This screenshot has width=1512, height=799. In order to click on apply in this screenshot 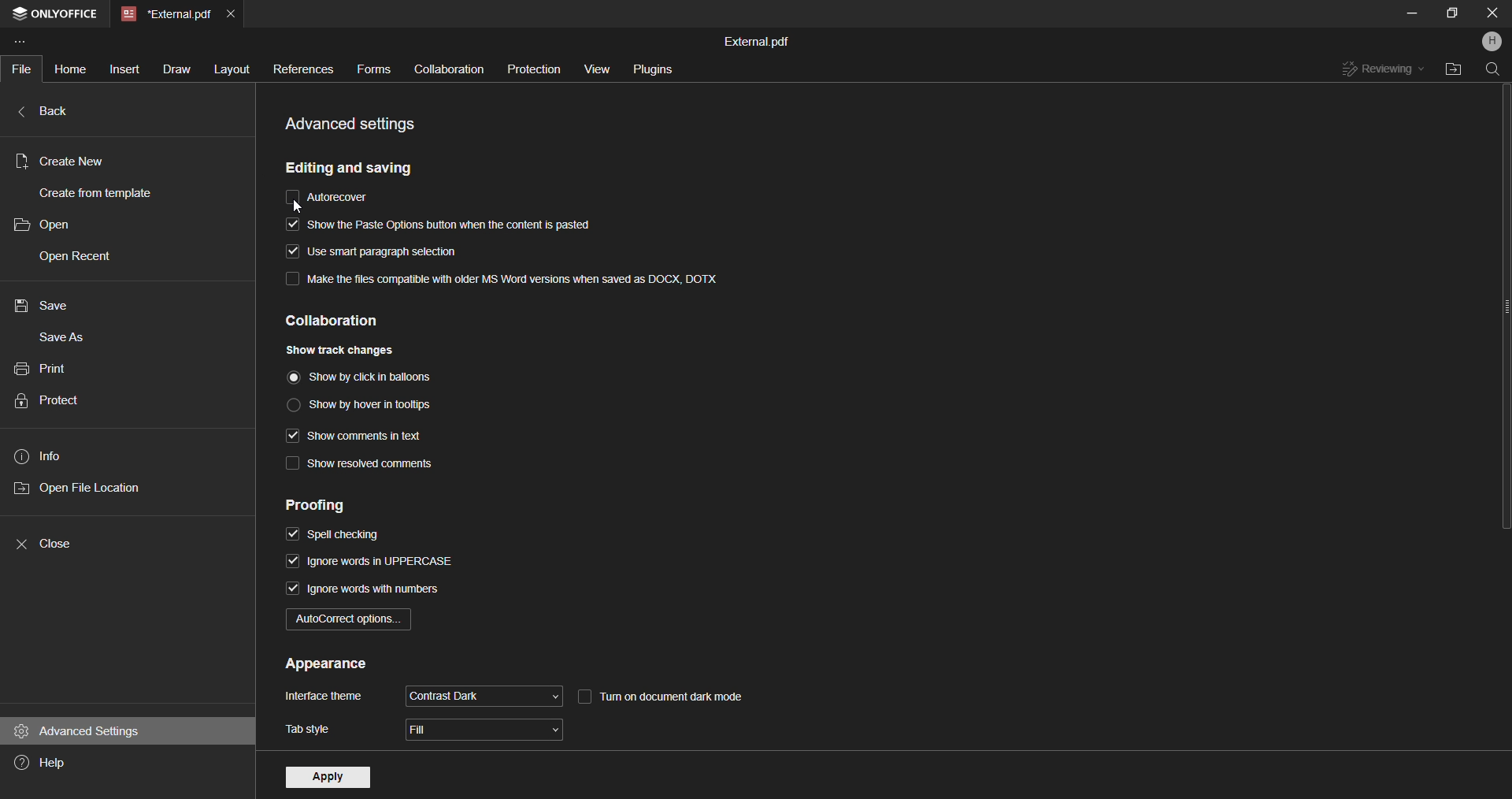, I will do `click(329, 778)`.